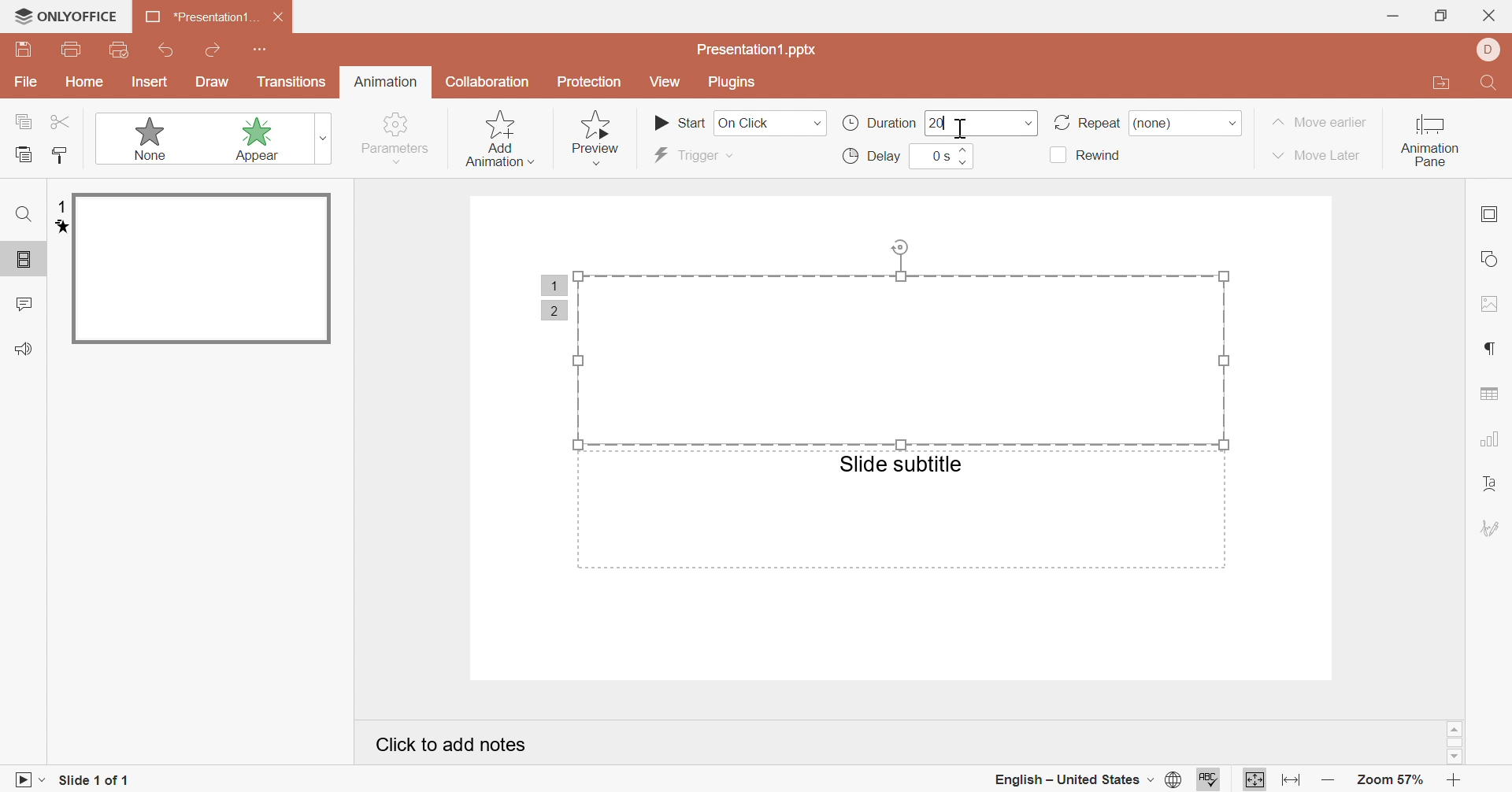 This screenshot has width=1512, height=792. What do you see at coordinates (555, 306) in the screenshot?
I see `2` at bounding box center [555, 306].